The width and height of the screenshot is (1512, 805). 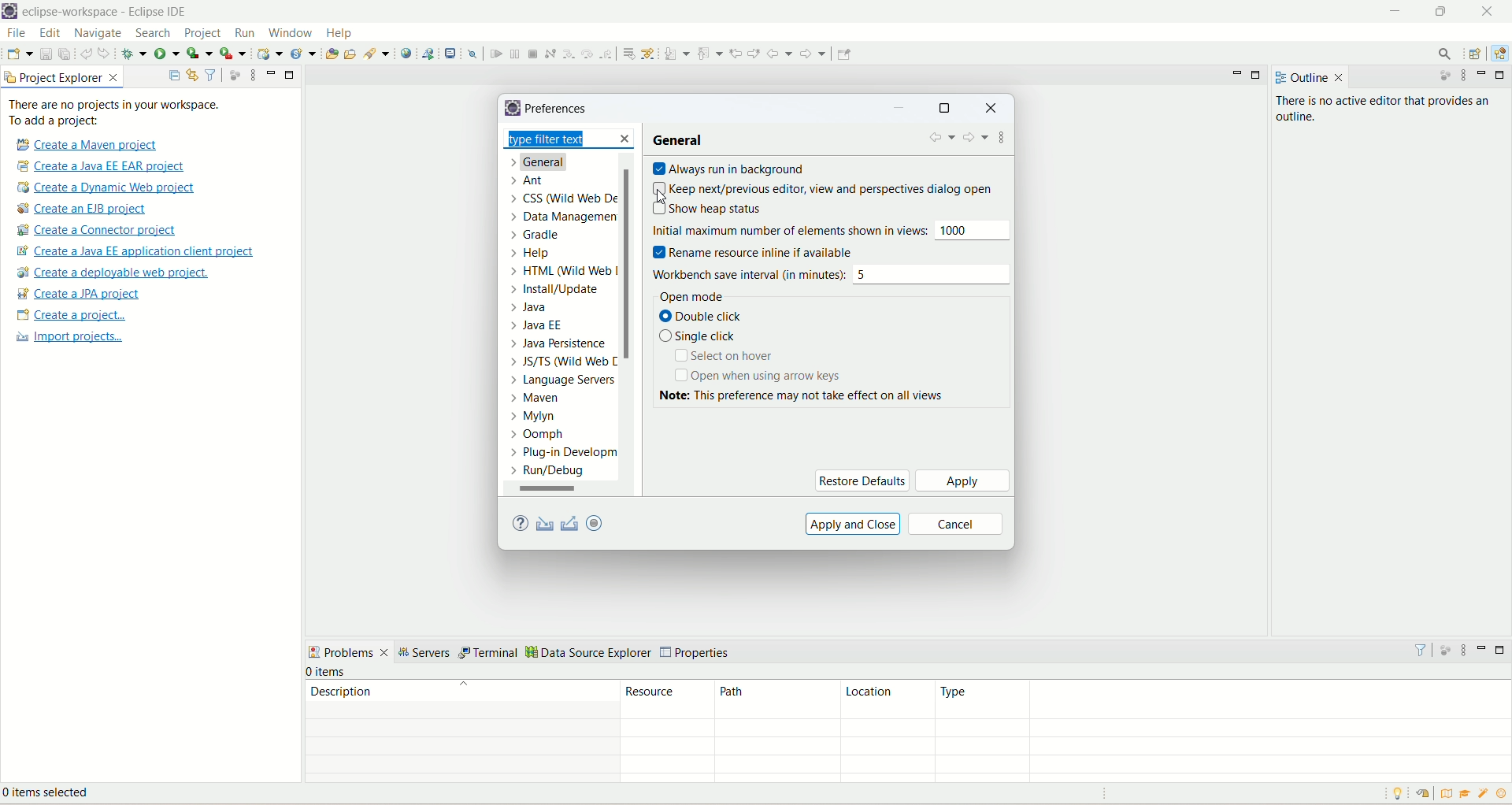 I want to click on outline, so click(x=1299, y=78).